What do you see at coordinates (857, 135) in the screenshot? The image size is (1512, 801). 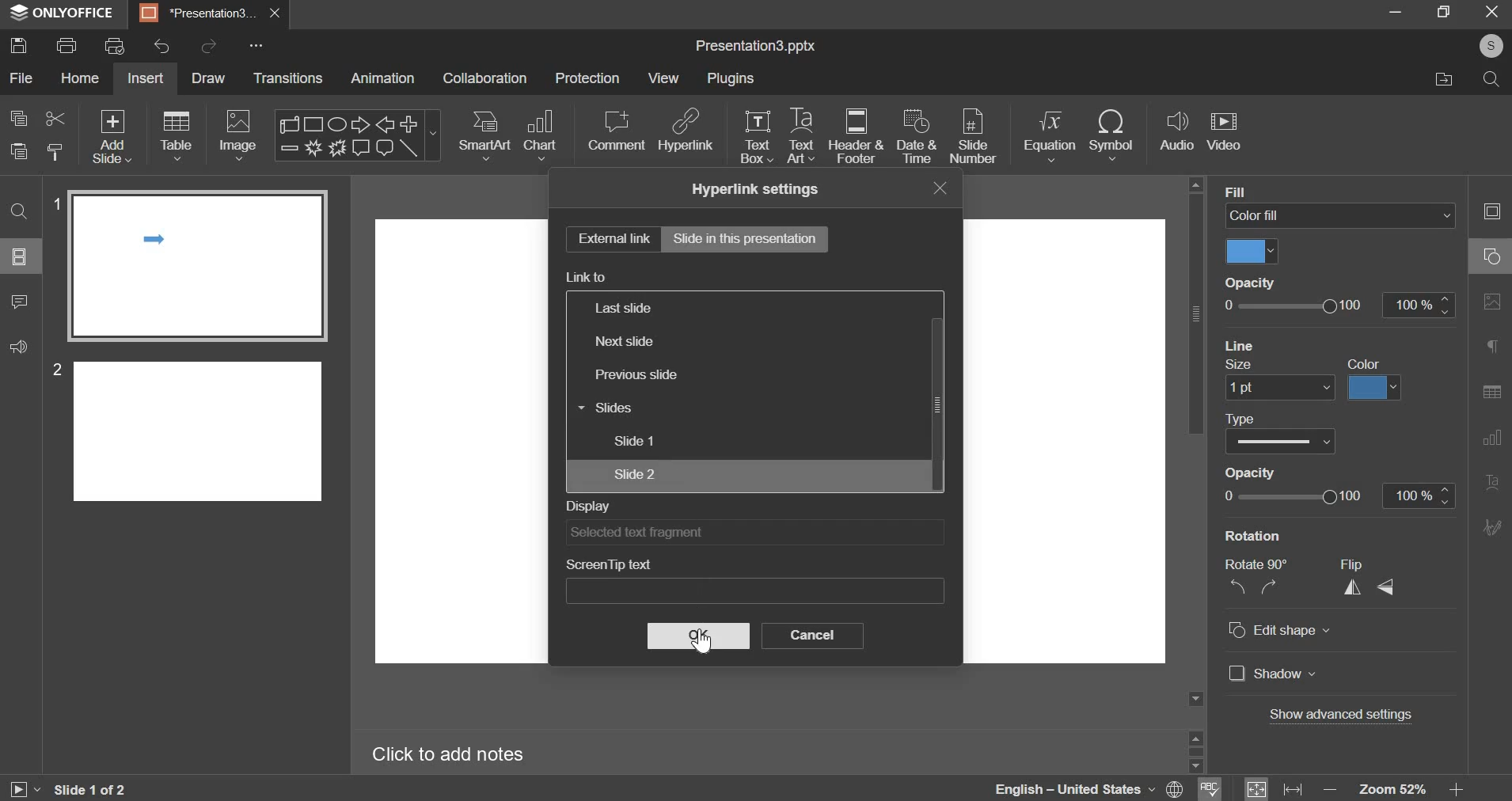 I see `header & footer` at bounding box center [857, 135].